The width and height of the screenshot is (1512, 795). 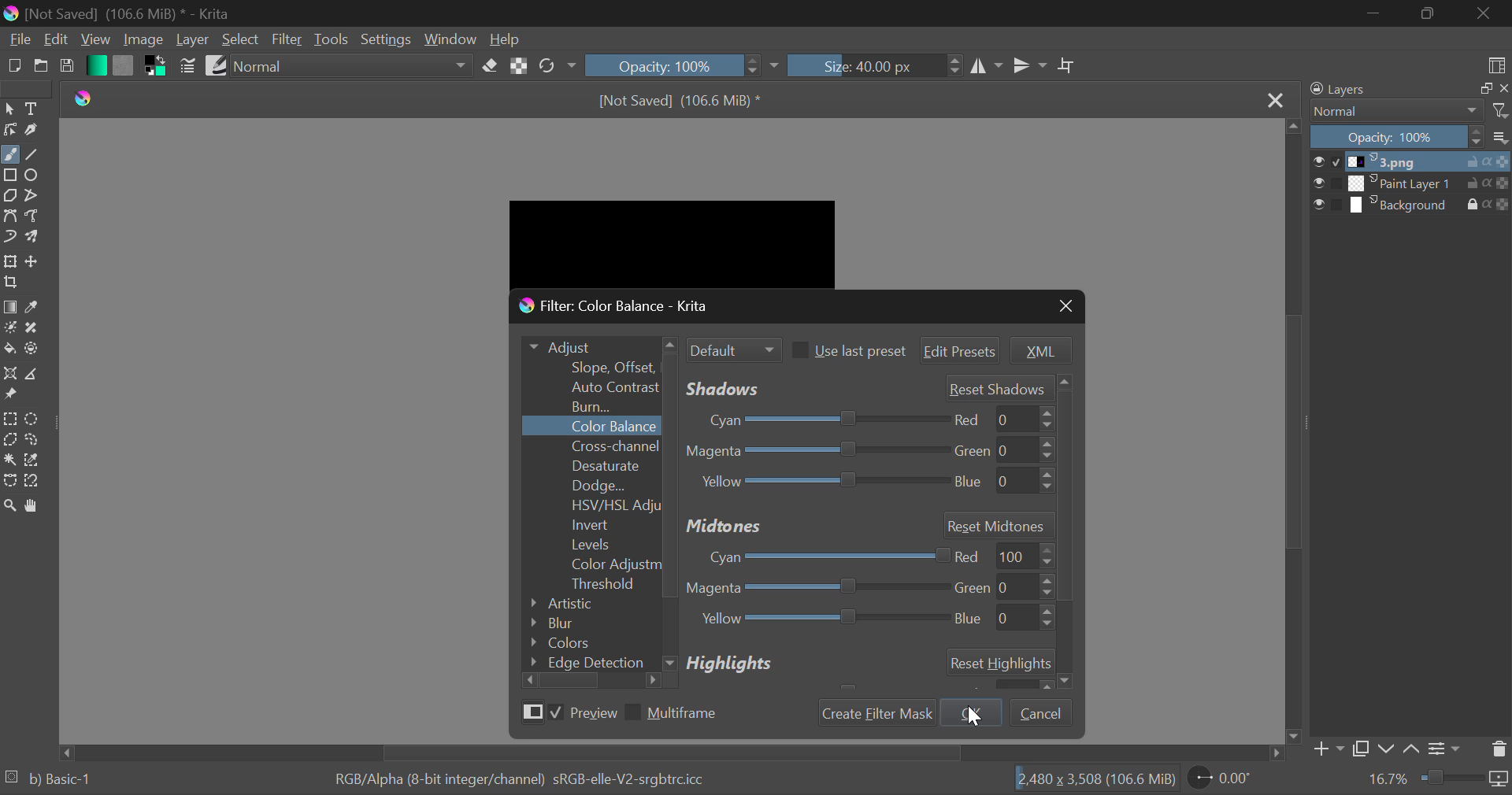 What do you see at coordinates (1225, 780) in the screenshot?
I see `0.00` at bounding box center [1225, 780].